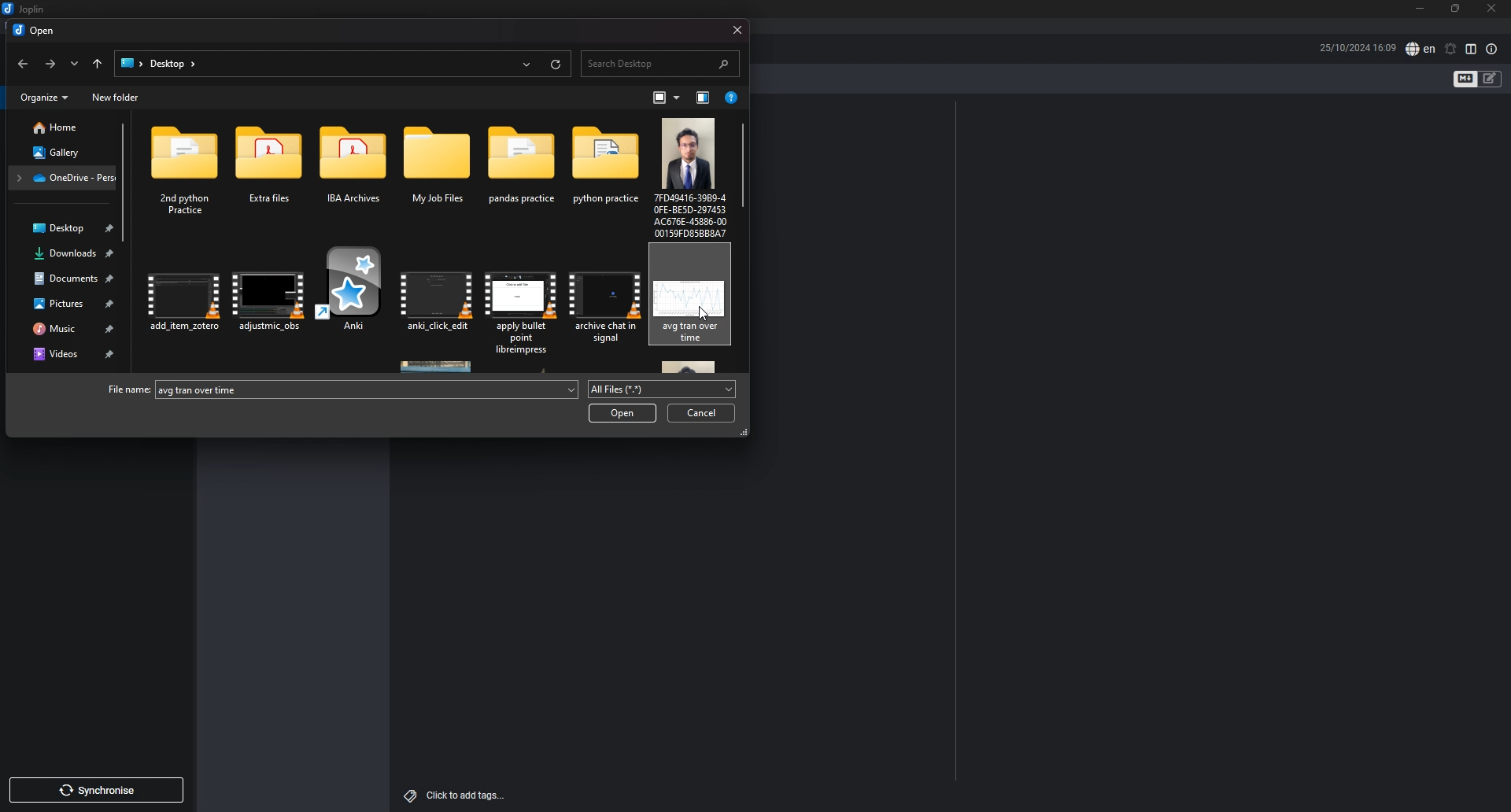 This screenshot has height=812, width=1511. Describe the element at coordinates (95, 790) in the screenshot. I see `synchronise` at that location.